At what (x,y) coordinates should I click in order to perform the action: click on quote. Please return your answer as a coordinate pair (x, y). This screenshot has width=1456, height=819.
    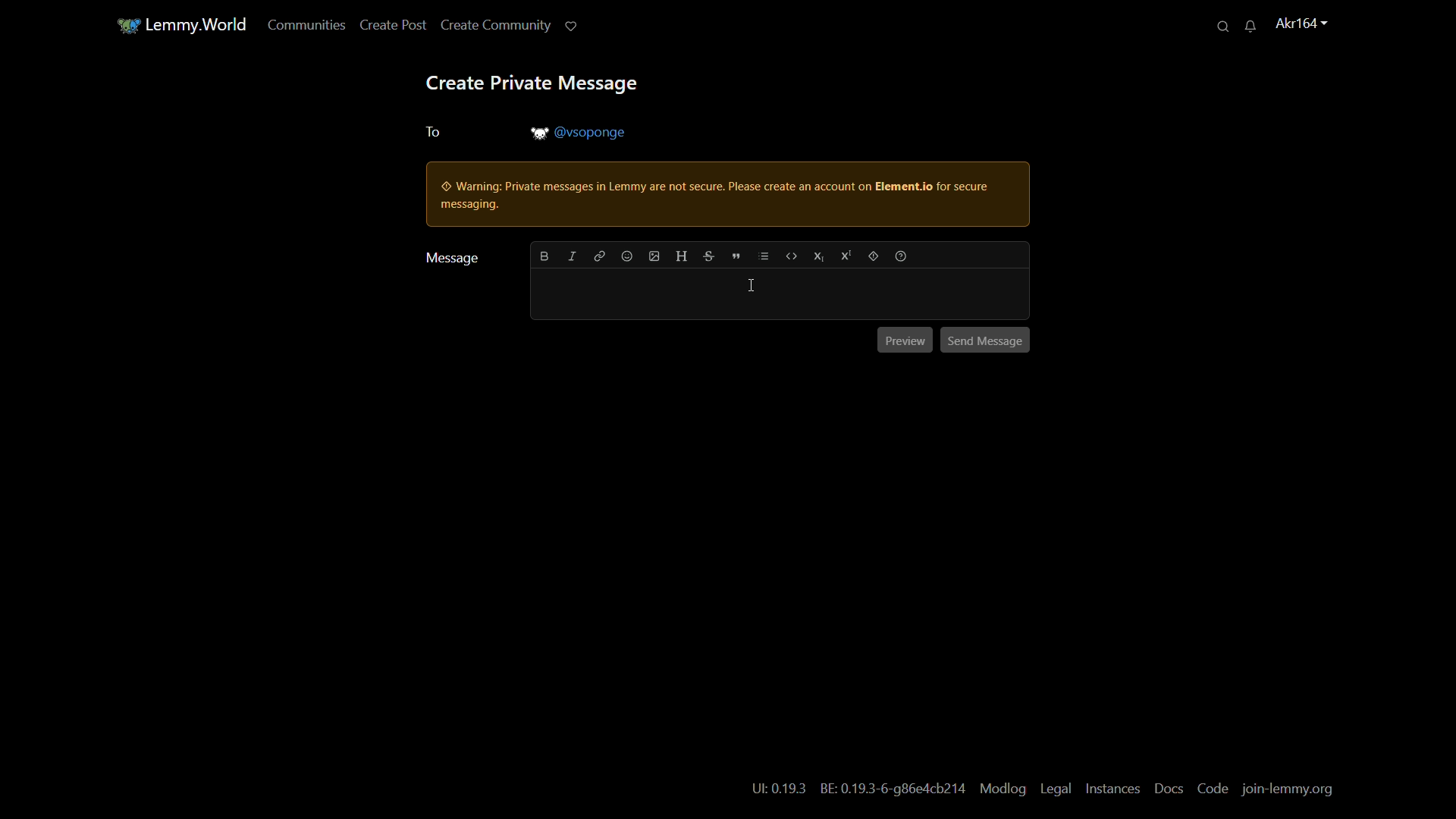
    Looking at the image, I should click on (734, 256).